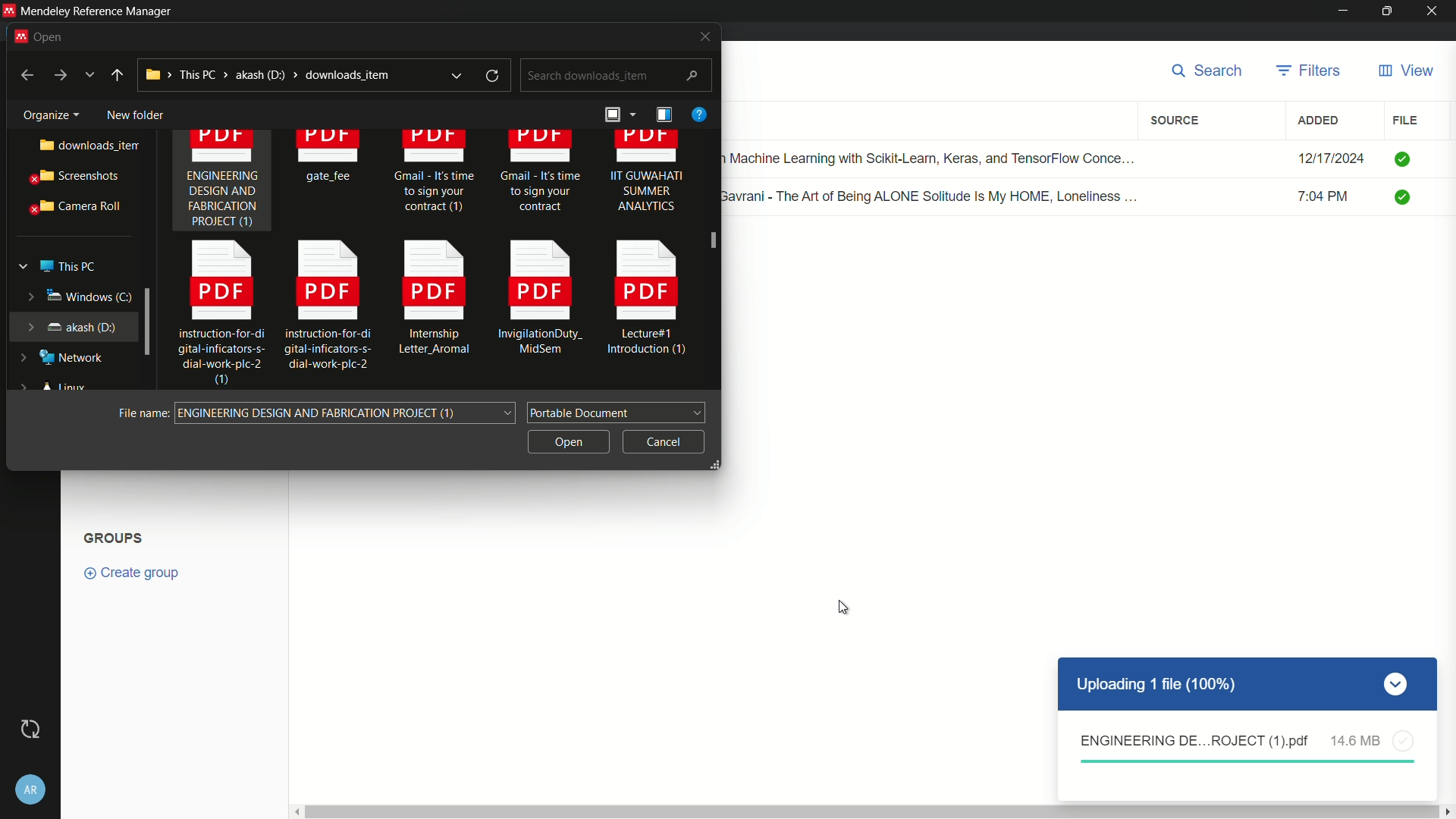  I want to click on InvigilationDuty_
[EE, so click(541, 301).